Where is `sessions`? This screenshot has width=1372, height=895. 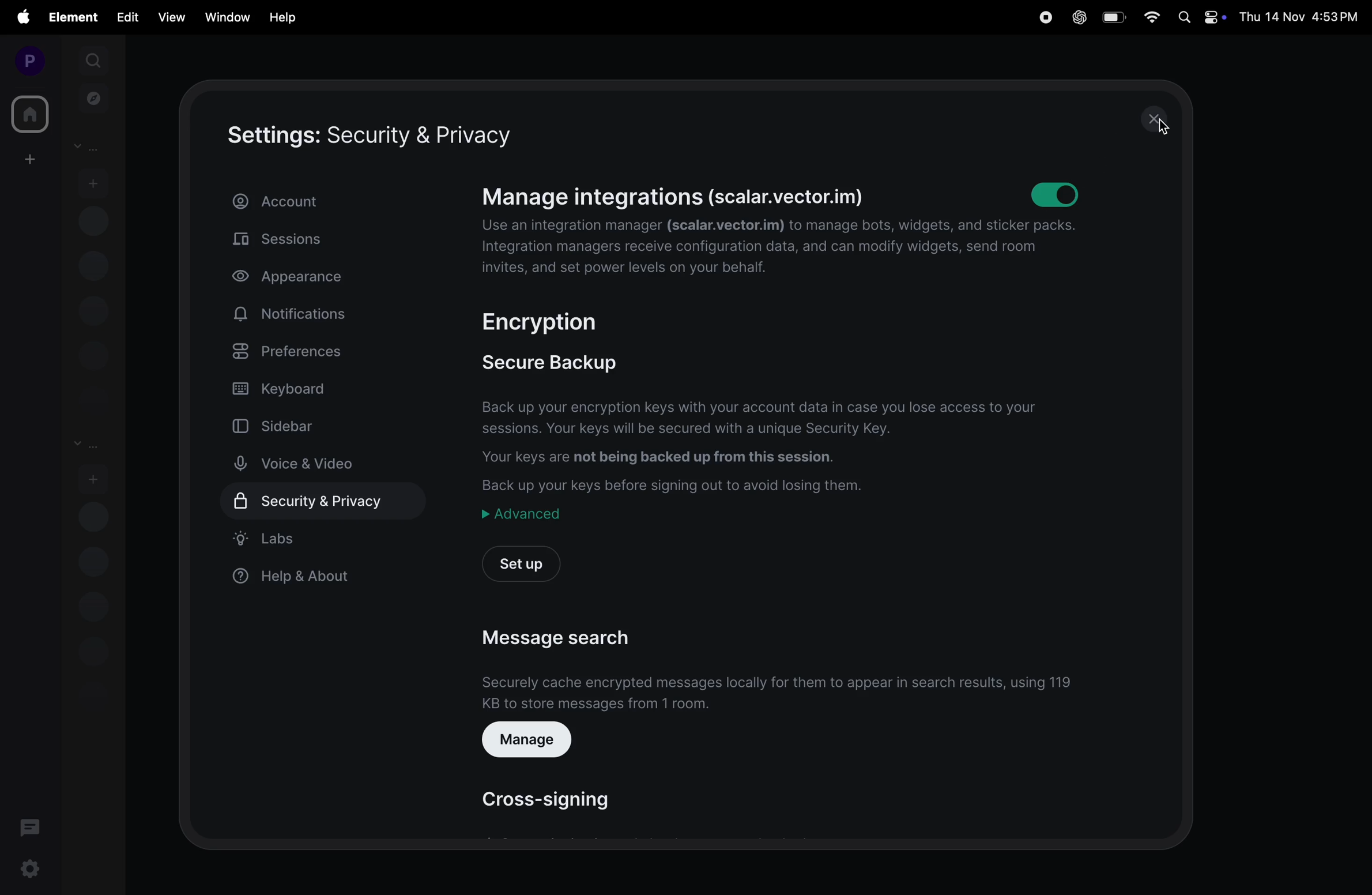
sessions is located at coordinates (278, 240).